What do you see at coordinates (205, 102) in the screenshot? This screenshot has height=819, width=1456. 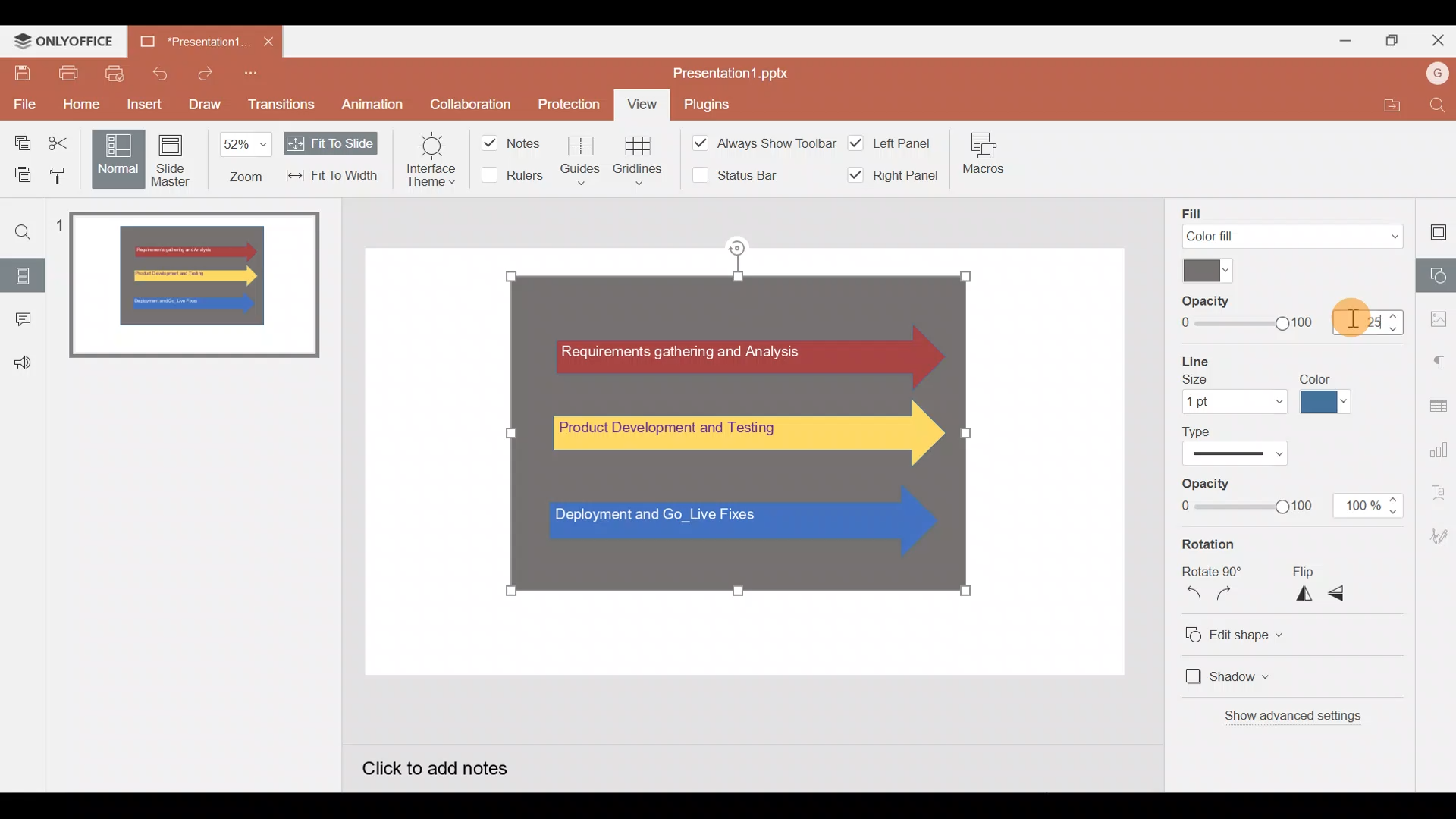 I see `Draw` at bounding box center [205, 102].